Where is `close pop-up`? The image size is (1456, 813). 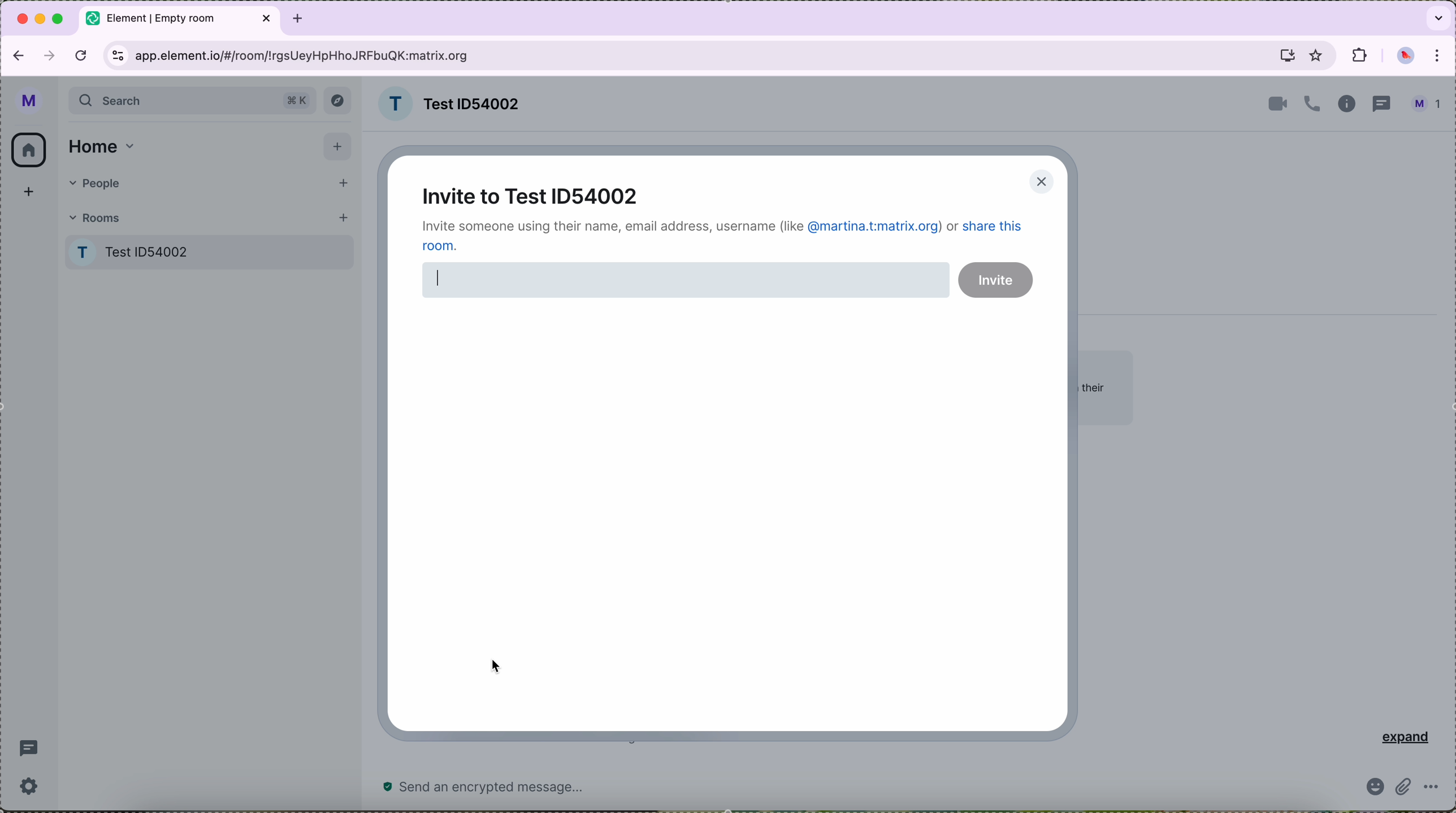 close pop-up is located at coordinates (1037, 181).